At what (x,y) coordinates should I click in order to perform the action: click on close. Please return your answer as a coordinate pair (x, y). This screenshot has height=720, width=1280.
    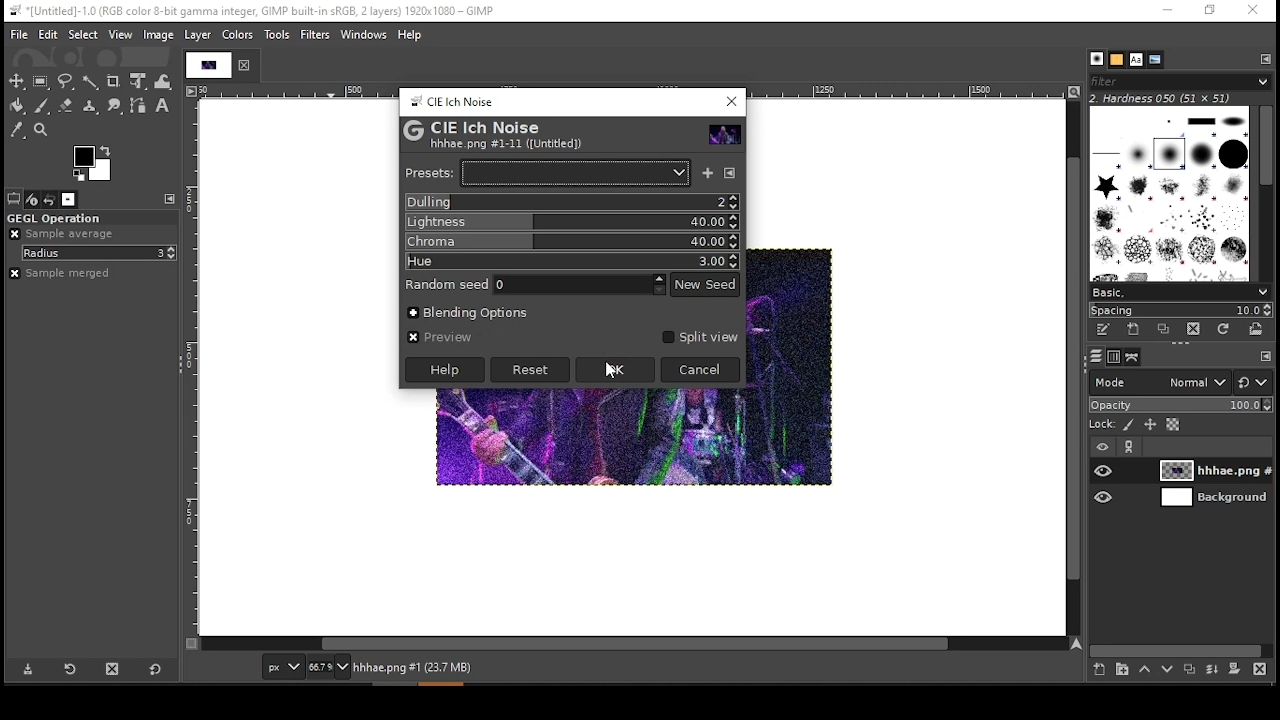
    Looking at the image, I should click on (245, 65).